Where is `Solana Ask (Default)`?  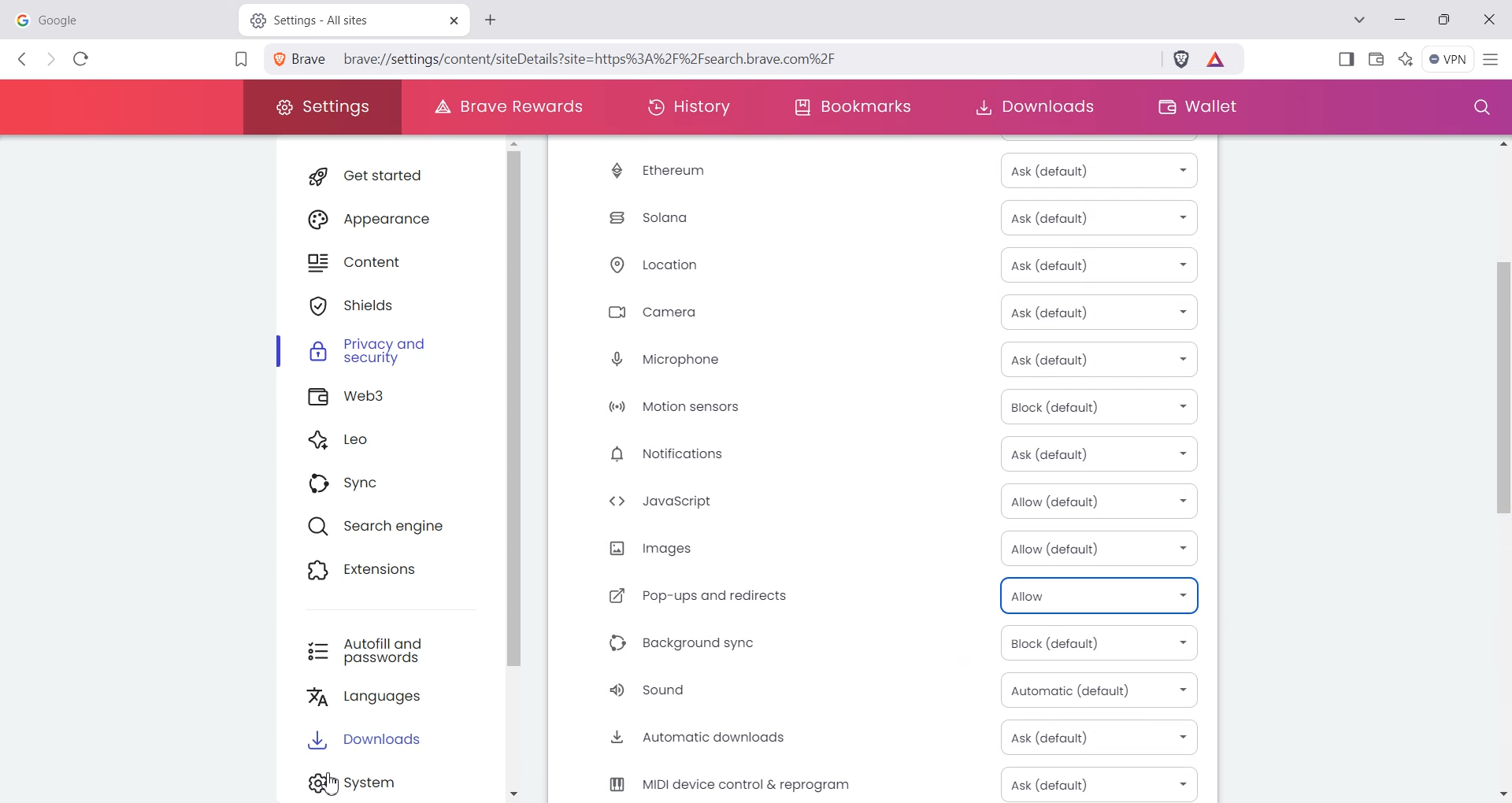 Solana Ask (Default) is located at coordinates (883, 216).